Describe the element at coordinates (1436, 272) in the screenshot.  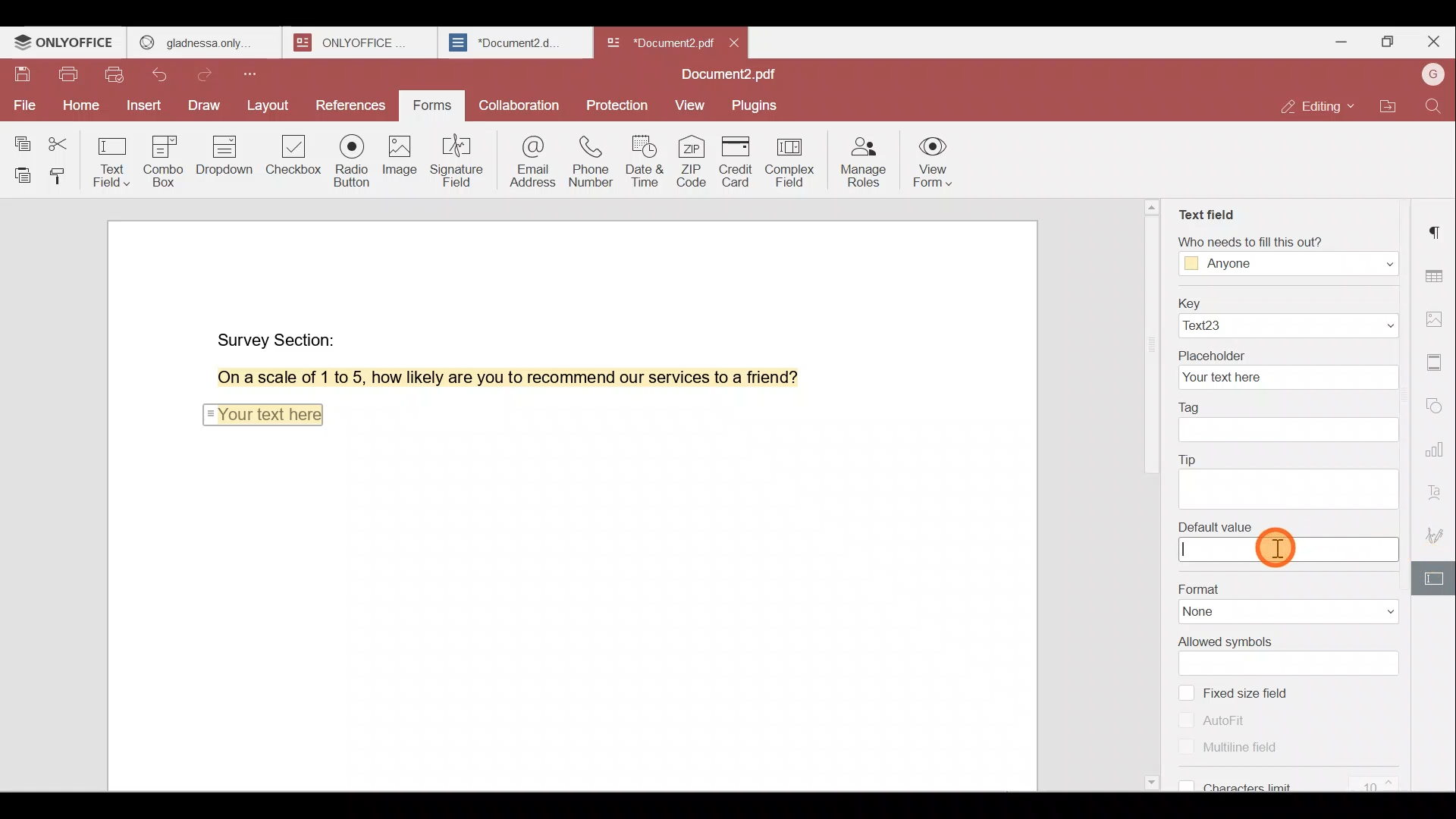
I see `Table settings` at that location.